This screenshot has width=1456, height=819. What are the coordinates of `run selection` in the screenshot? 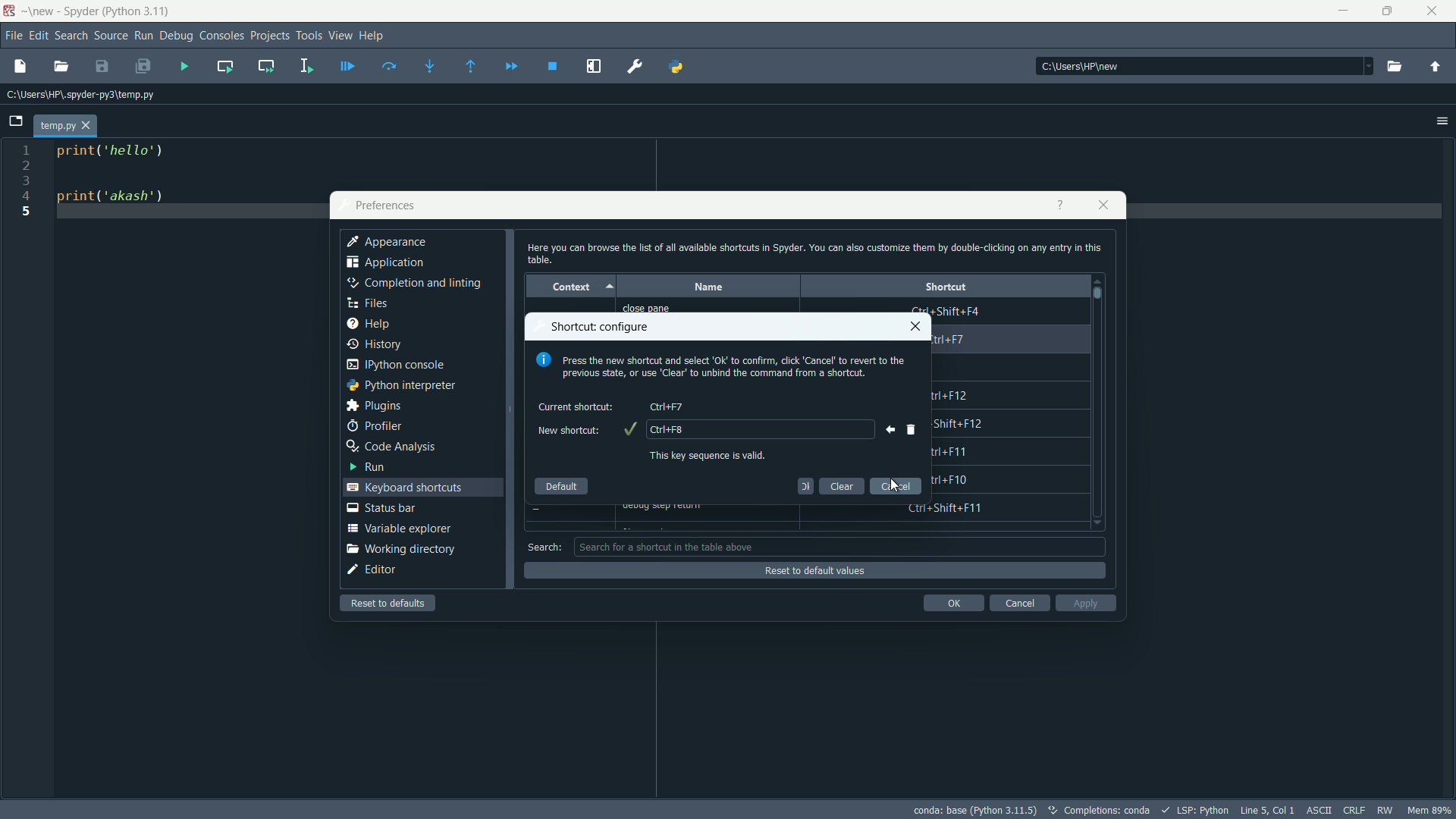 It's located at (304, 67).